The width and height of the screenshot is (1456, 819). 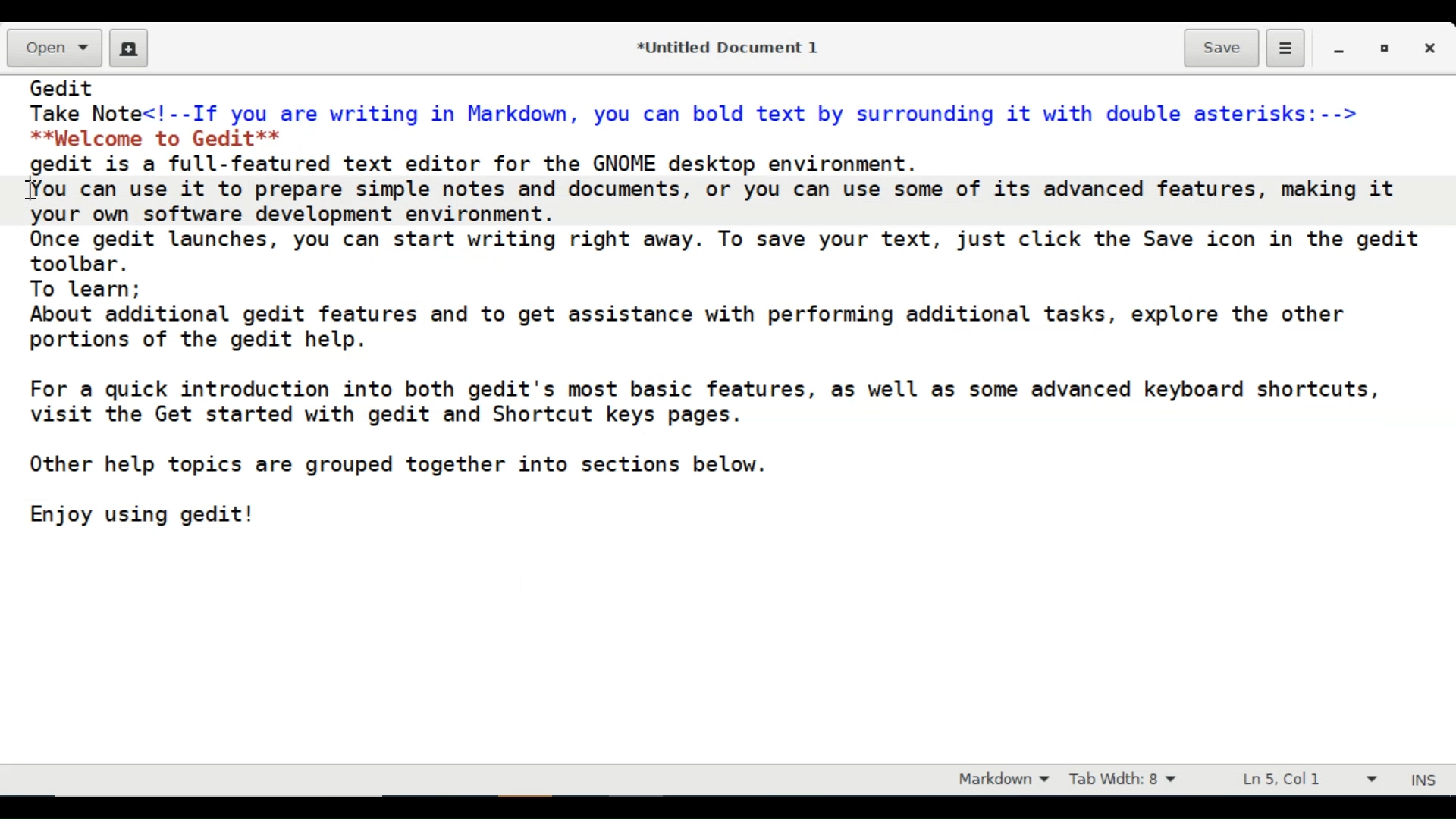 What do you see at coordinates (129, 48) in the screenshot?
I see `New File` at bounding box center [129, 48].